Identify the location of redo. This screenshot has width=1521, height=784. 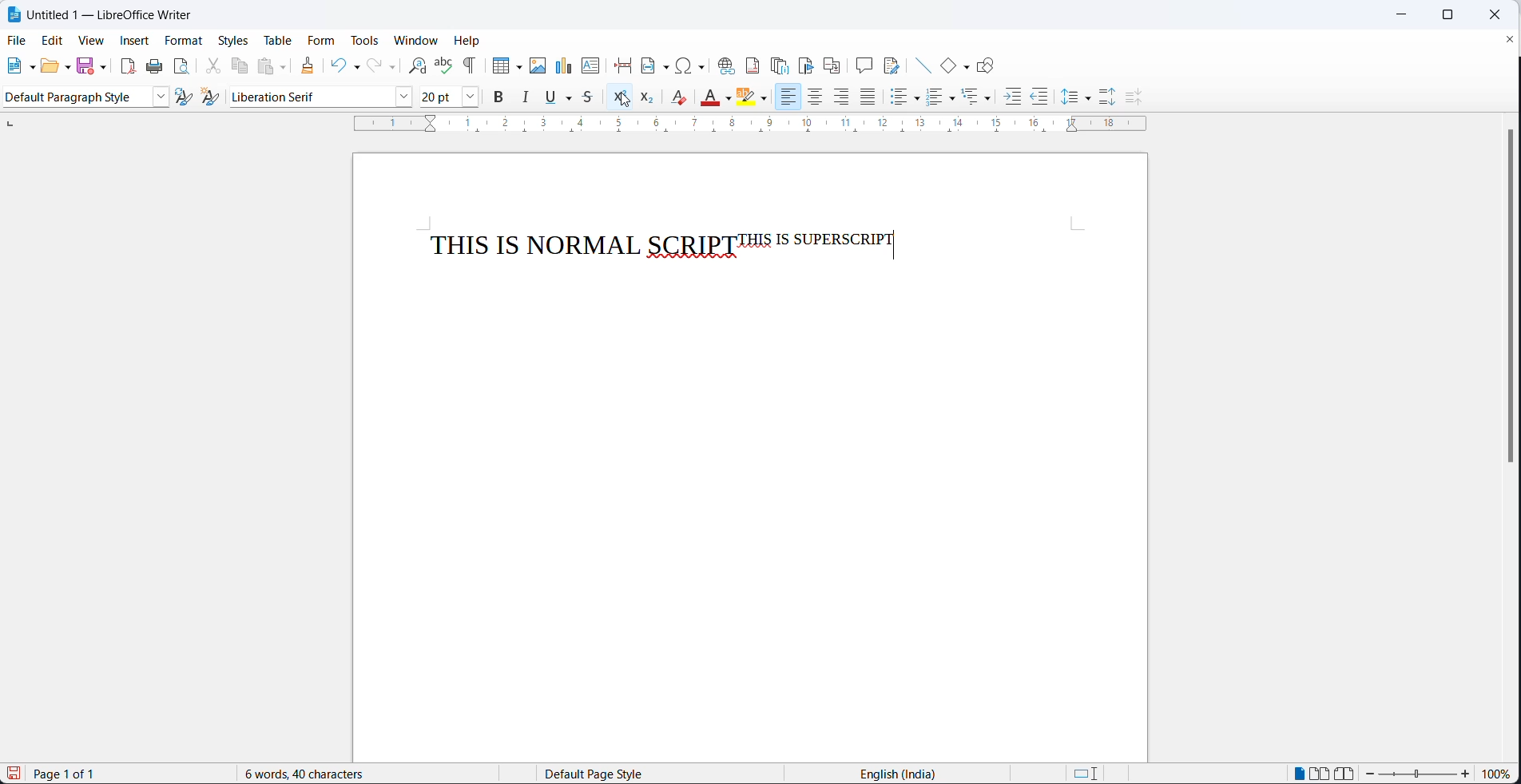
(373, 66).